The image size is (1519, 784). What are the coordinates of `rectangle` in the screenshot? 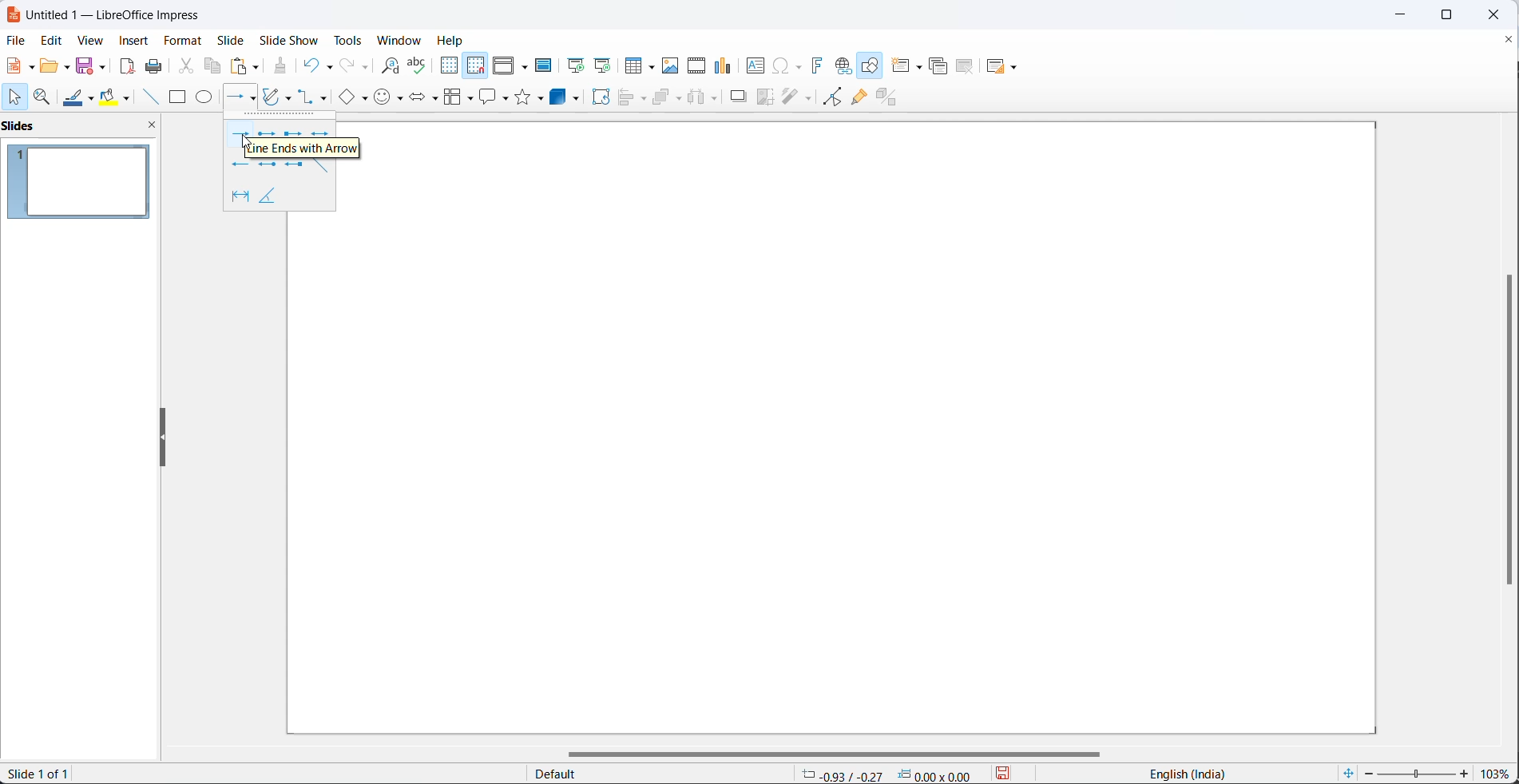 It's located at (176, 97).